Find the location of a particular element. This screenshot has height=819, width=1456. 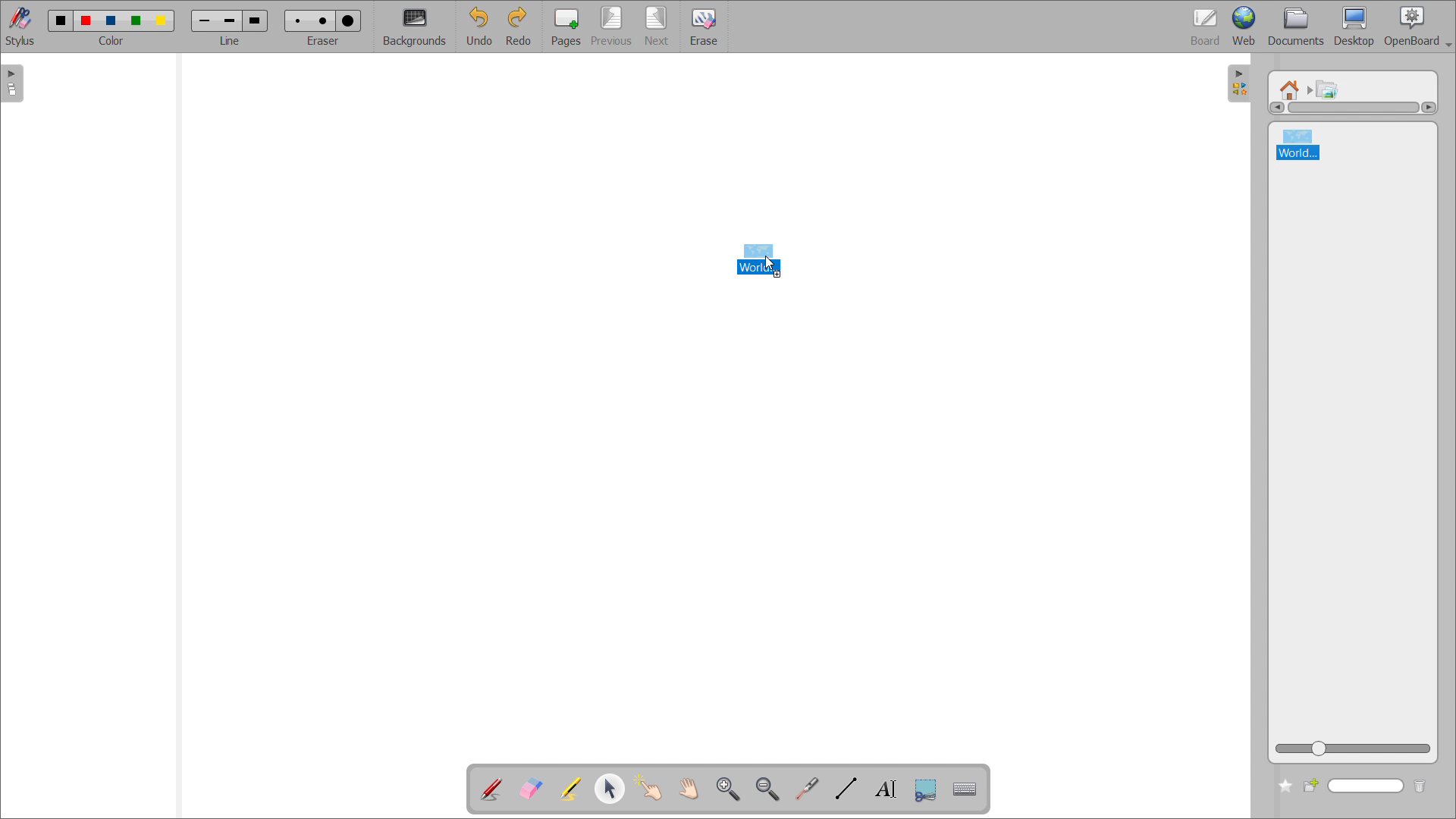

write text is located at coordinates (886, 789).